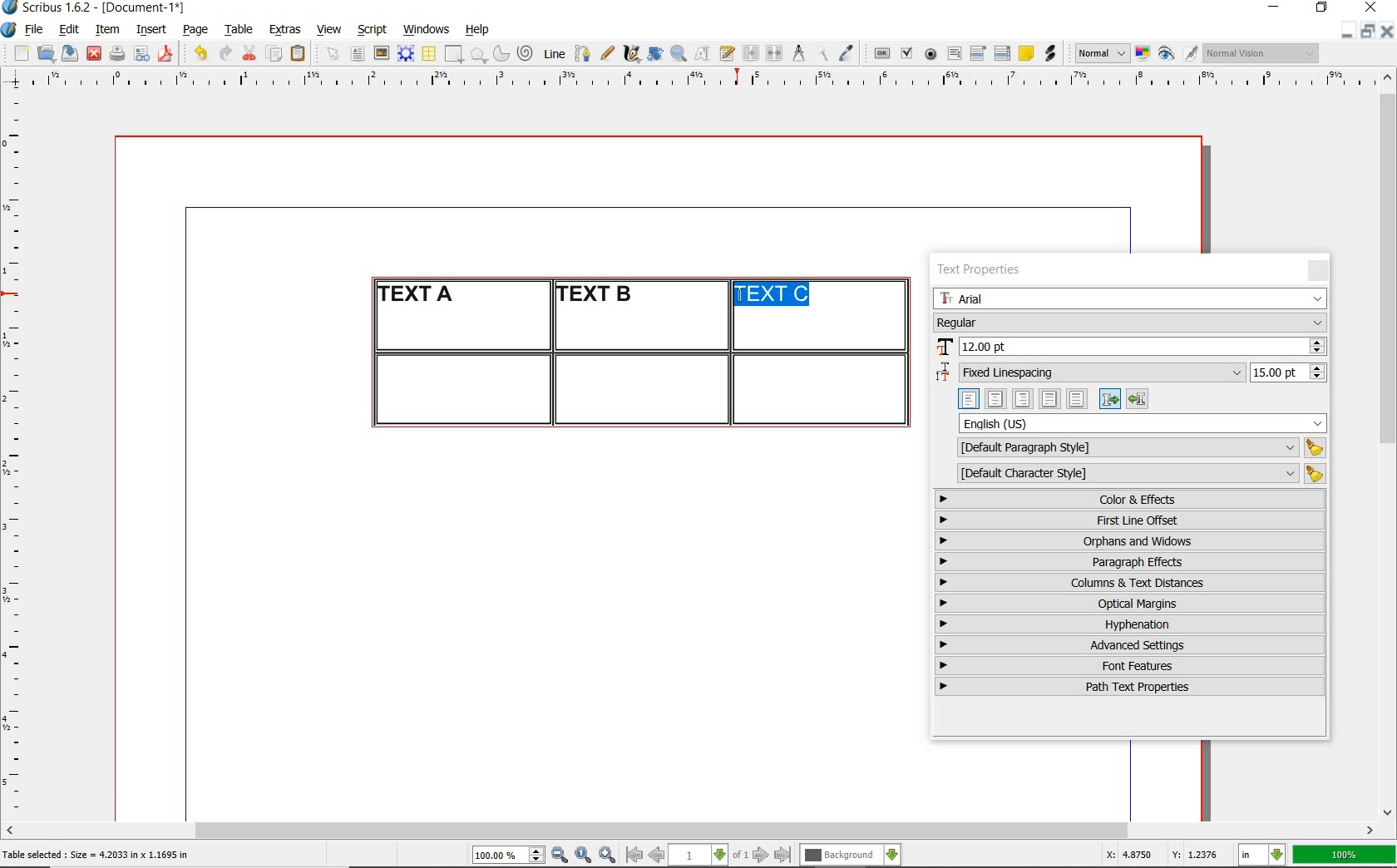 This screenshot has height=868, width=1397. What do you see at coordinates (1053, 398) in the screenshot?
I see `text alignment` at bounding box center [1053, 398].